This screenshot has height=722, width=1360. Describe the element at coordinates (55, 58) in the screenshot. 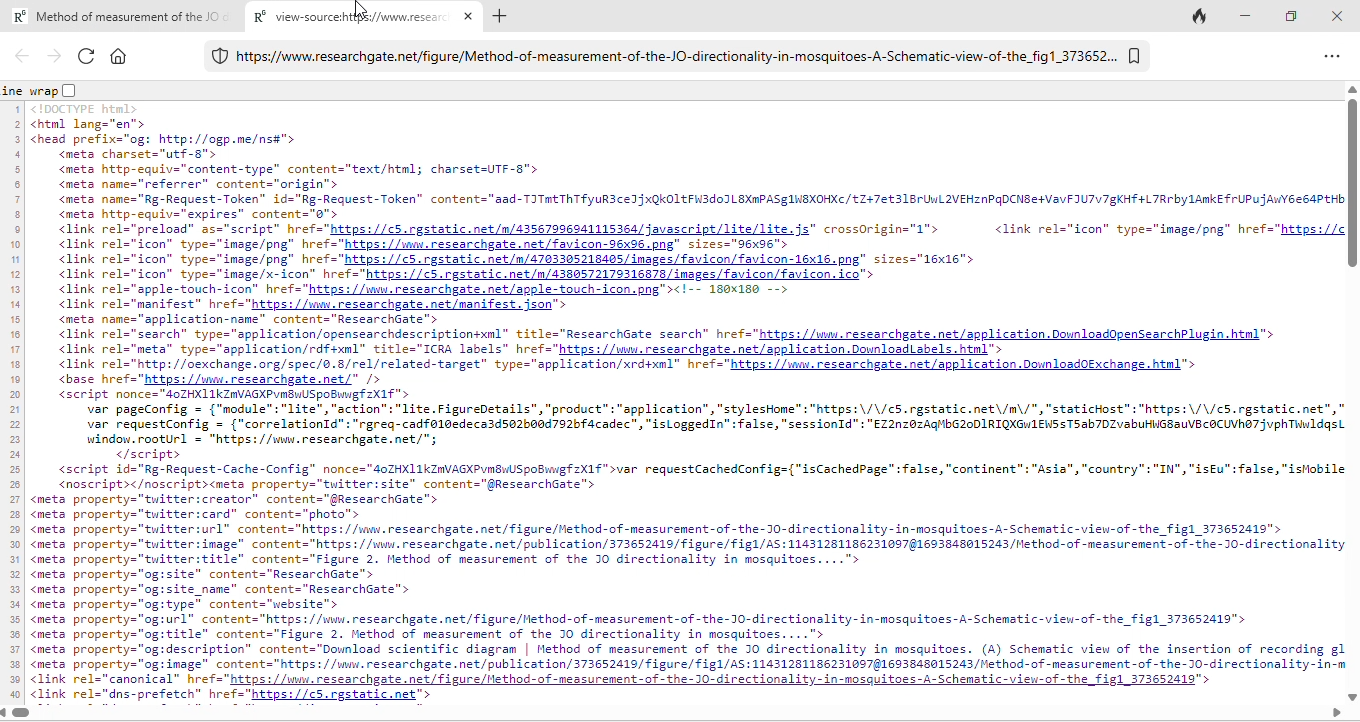

I see `forward` at that location.